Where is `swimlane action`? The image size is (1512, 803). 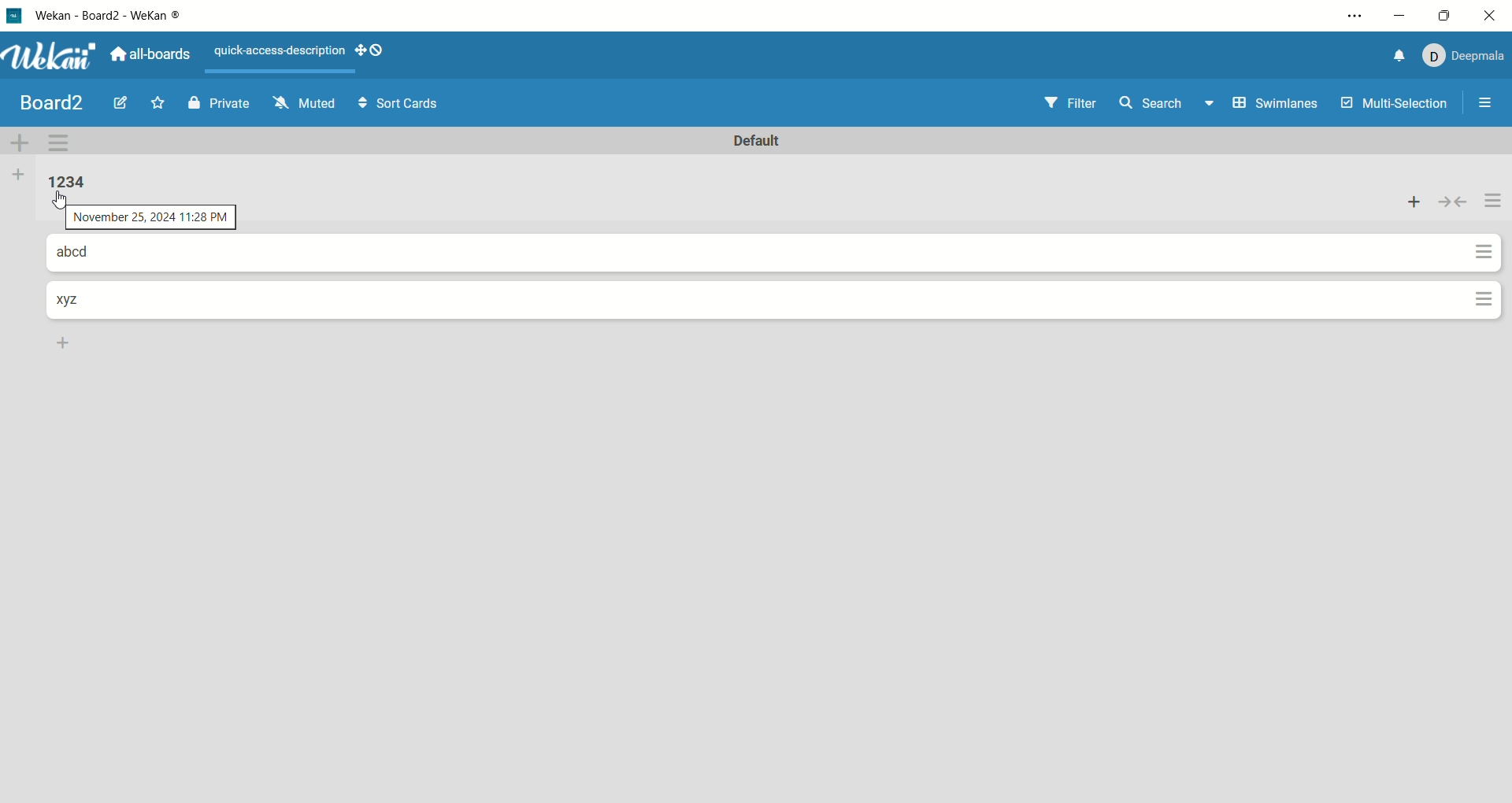
swimlane action is located at coordinates (63, 142).